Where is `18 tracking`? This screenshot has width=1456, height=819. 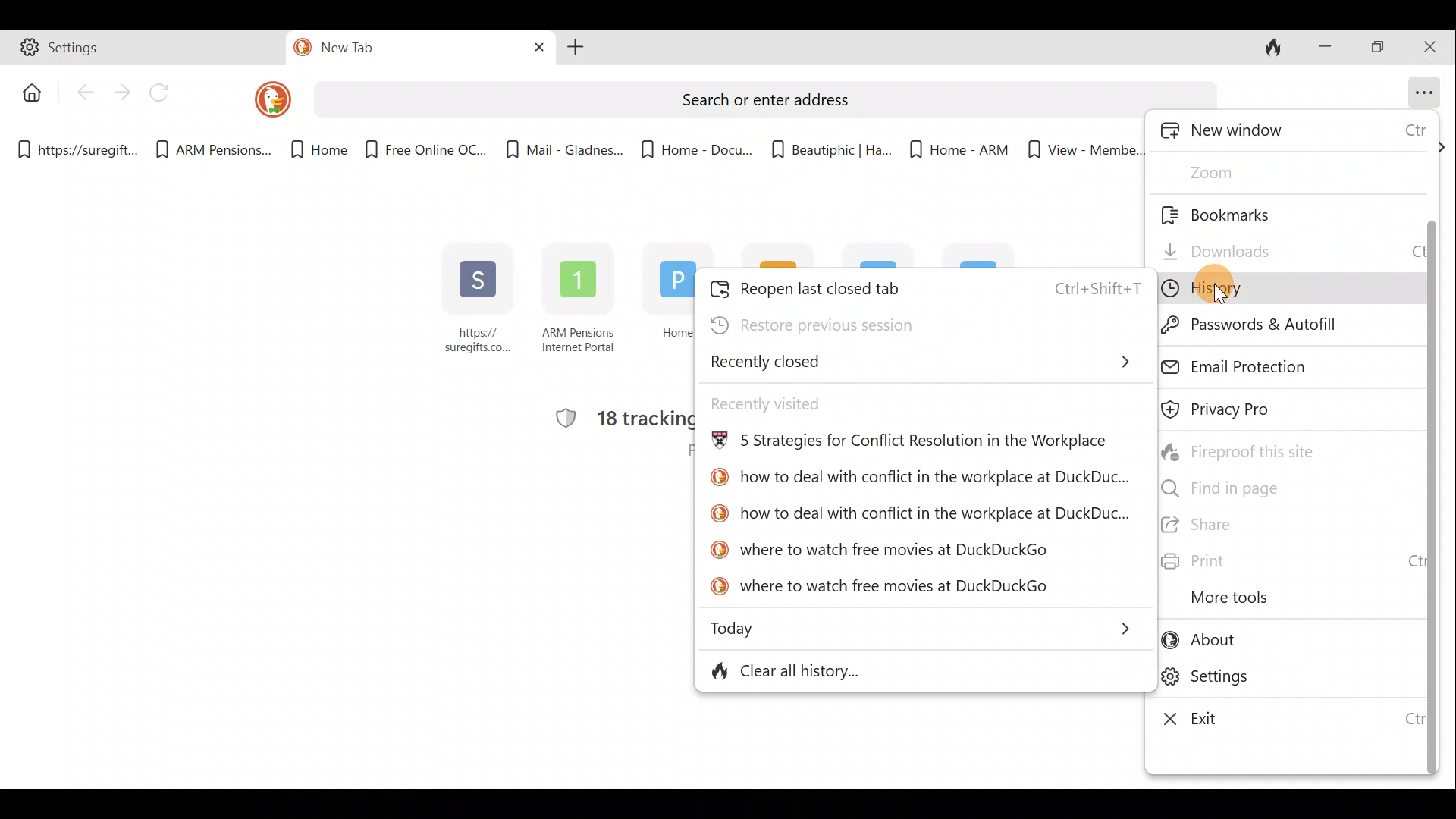 18 tracking is located at coordinates (645, 418).